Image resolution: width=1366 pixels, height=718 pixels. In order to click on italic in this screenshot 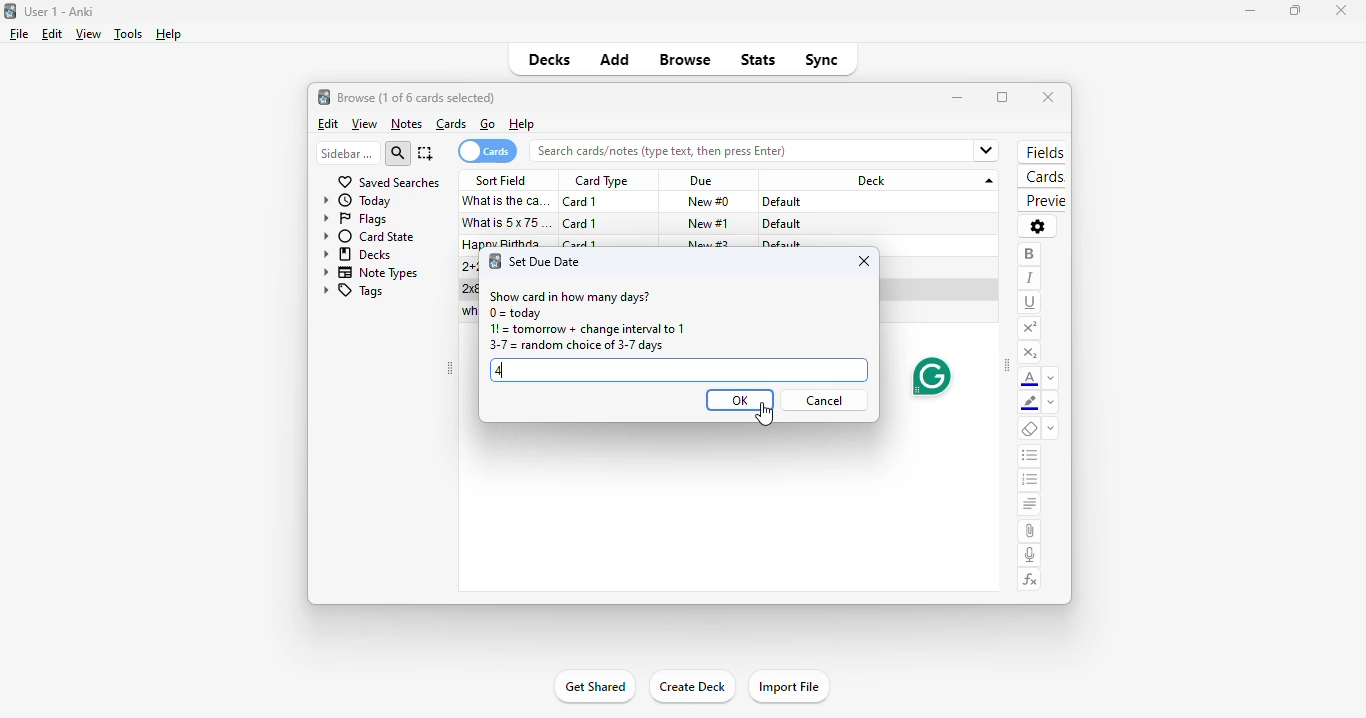, I will do `click(1029, 278)`.